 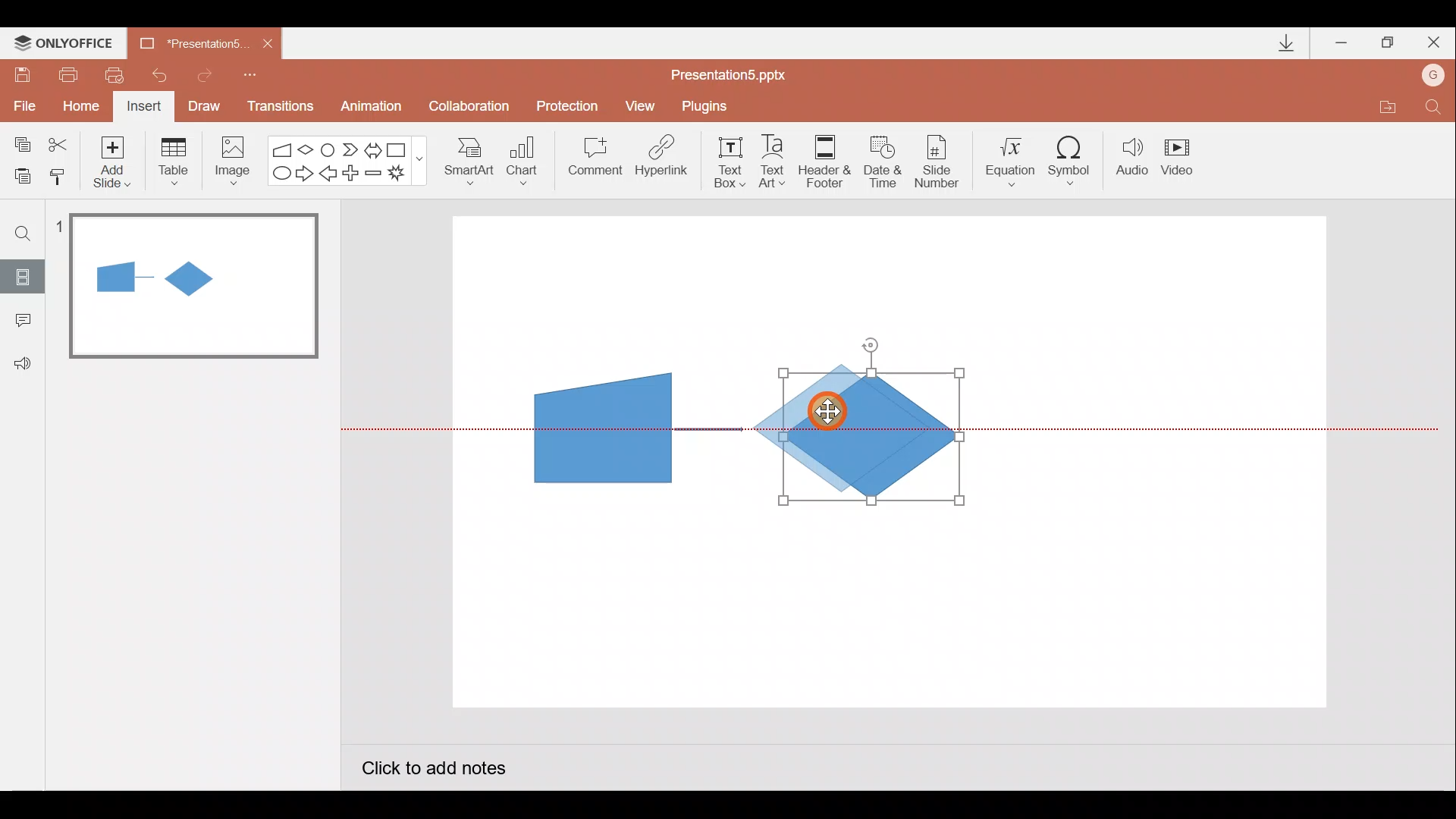 I want to click on Symbol, so click(x=1075, y=160).